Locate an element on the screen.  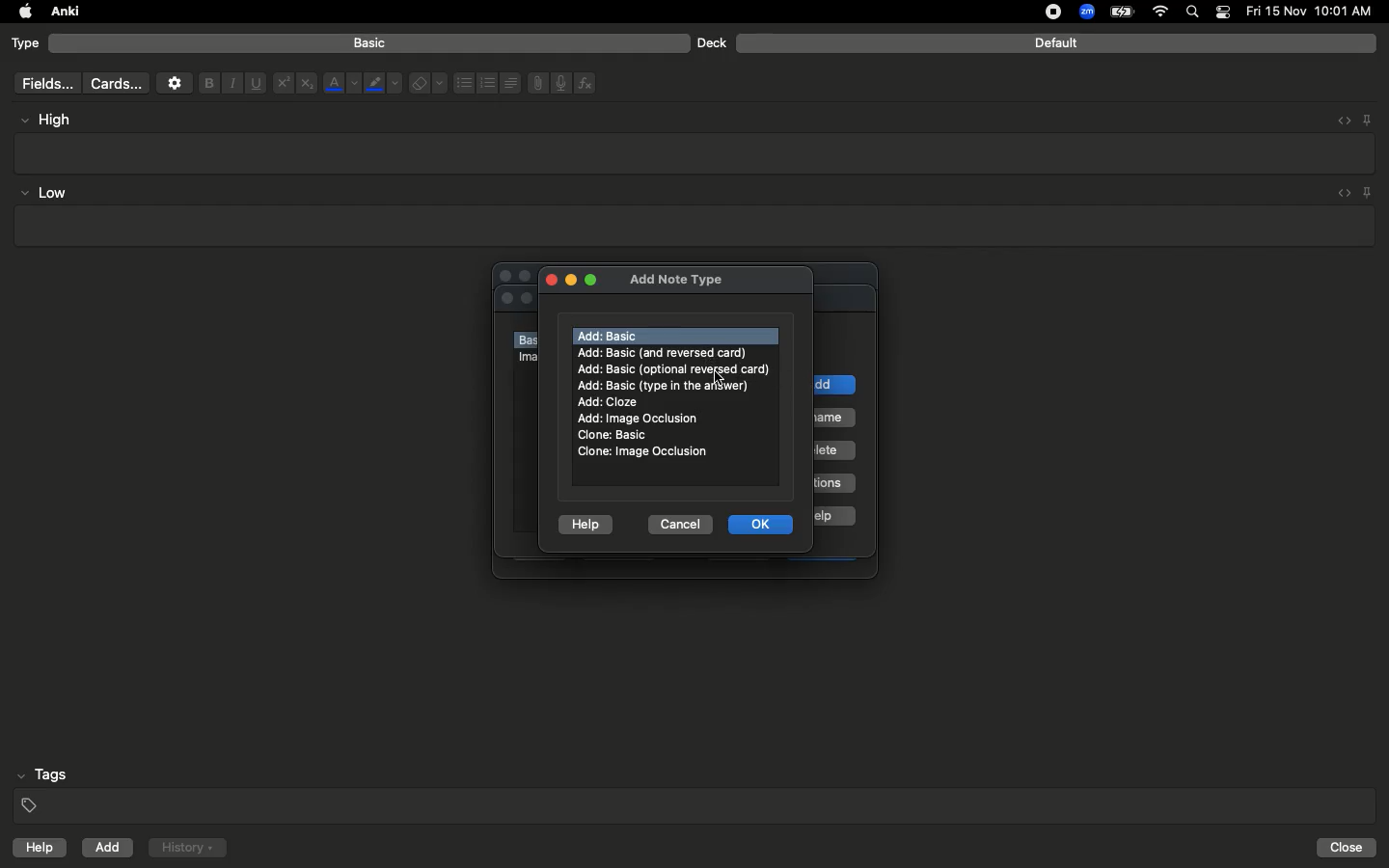
Italics is located at coordinates (230, 84).